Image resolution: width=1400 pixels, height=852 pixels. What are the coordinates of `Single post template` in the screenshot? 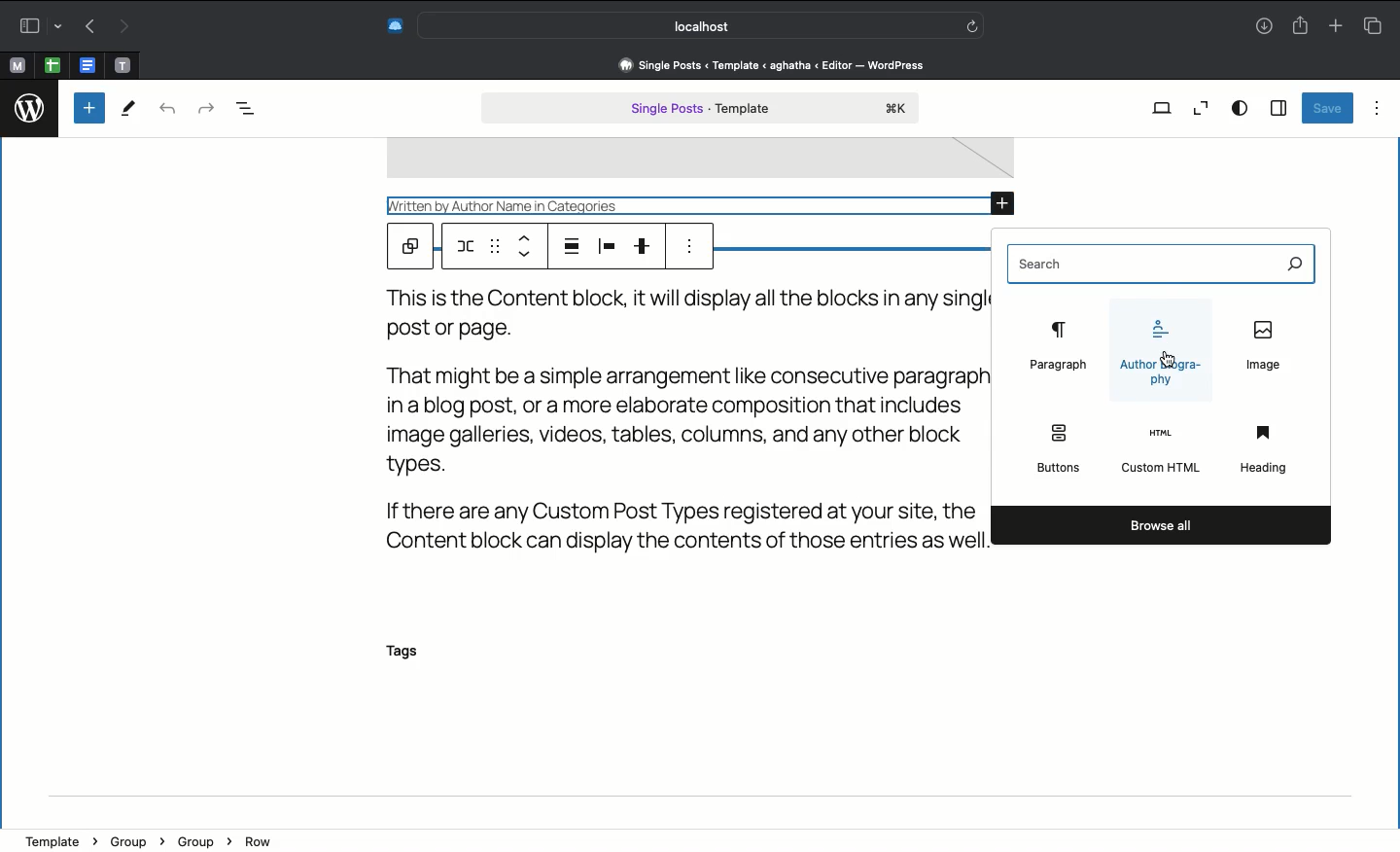 It's located at (700, 110).